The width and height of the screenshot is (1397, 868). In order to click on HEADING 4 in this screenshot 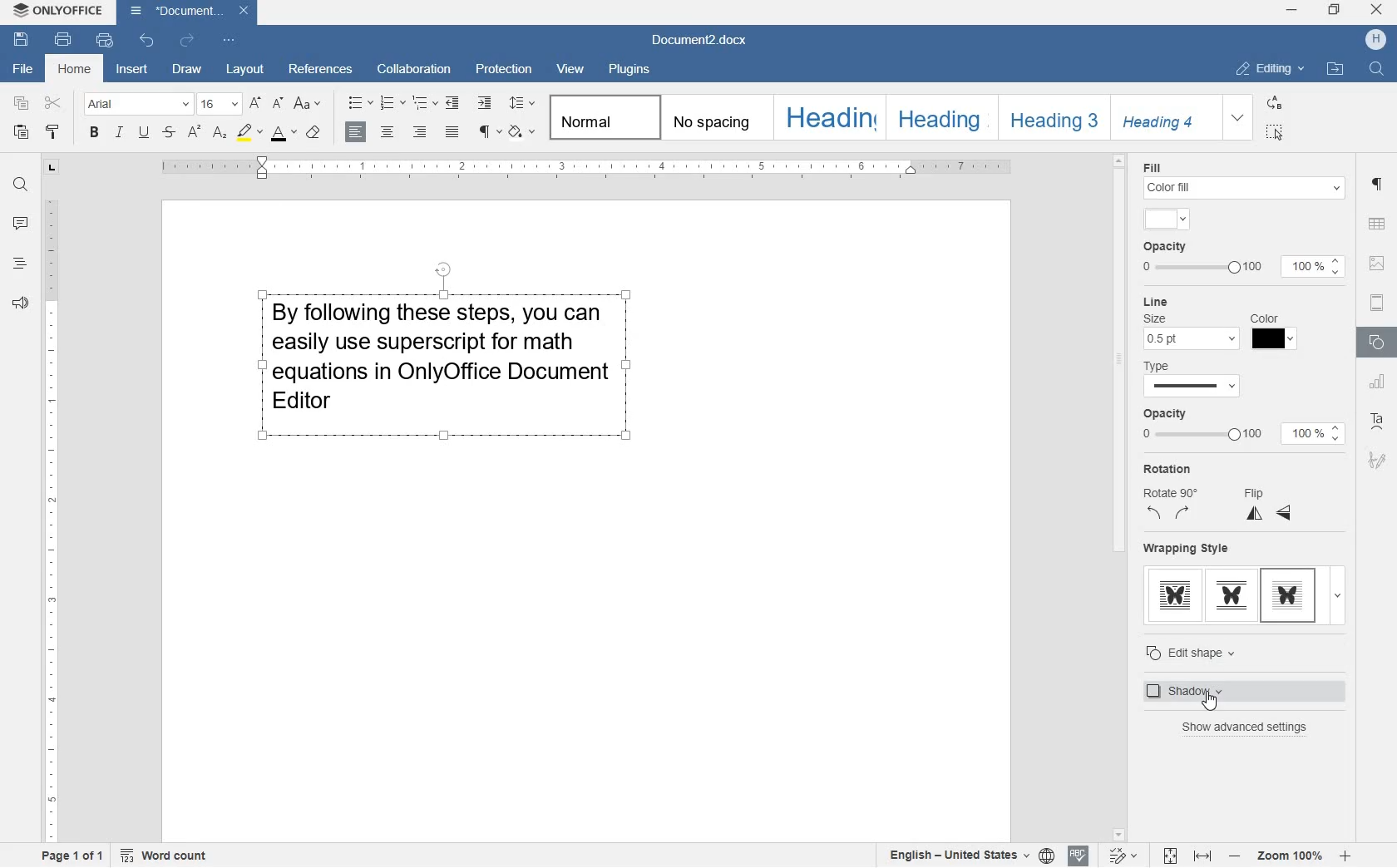, I will do `click(1161, 118)`.